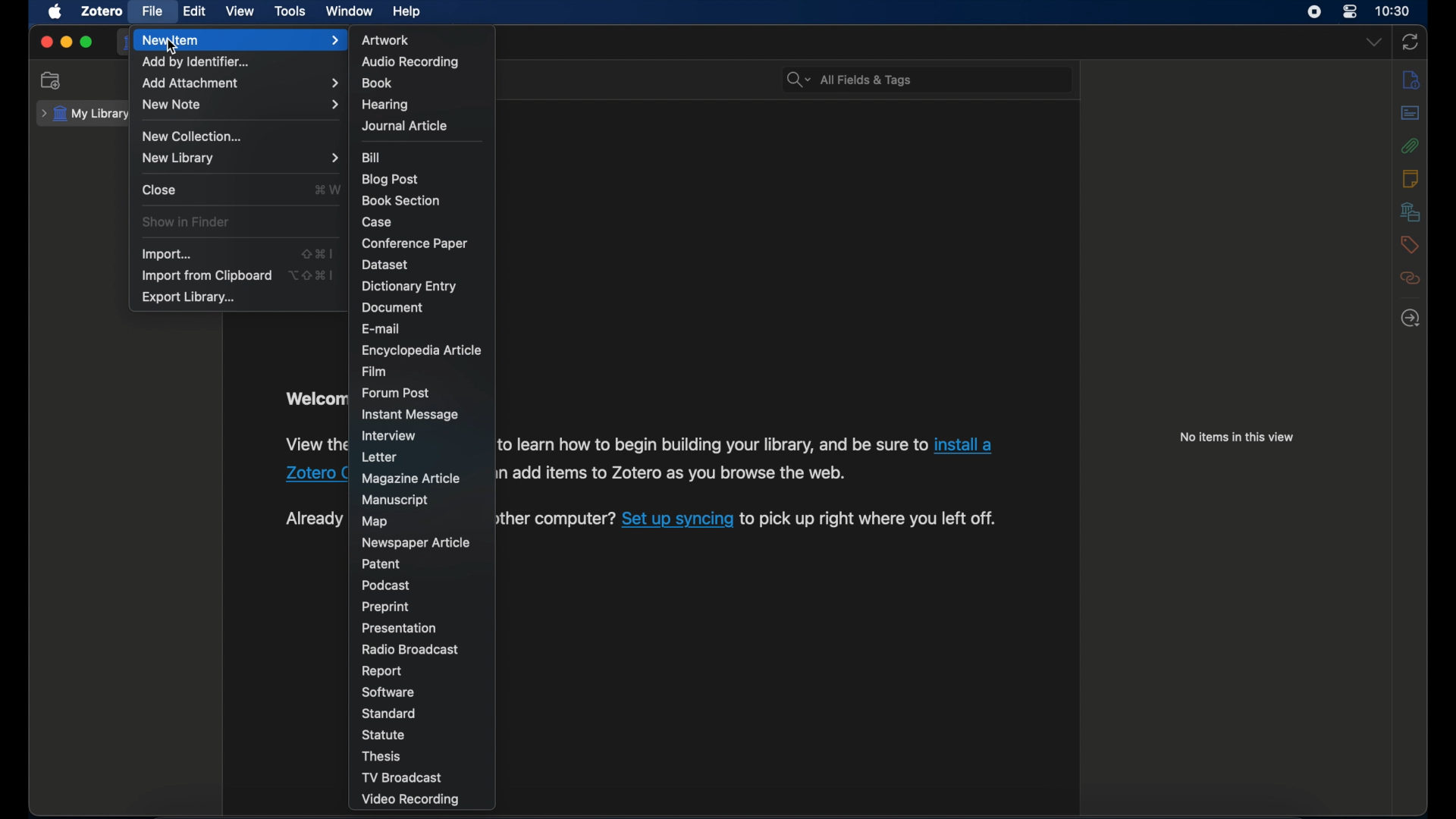 Image resolution: width=1456 pixels, height=819 pixels. What do you see at coordinates (242, 40) in the screenshot?
I see `new item` at bounding box center [242, 40].